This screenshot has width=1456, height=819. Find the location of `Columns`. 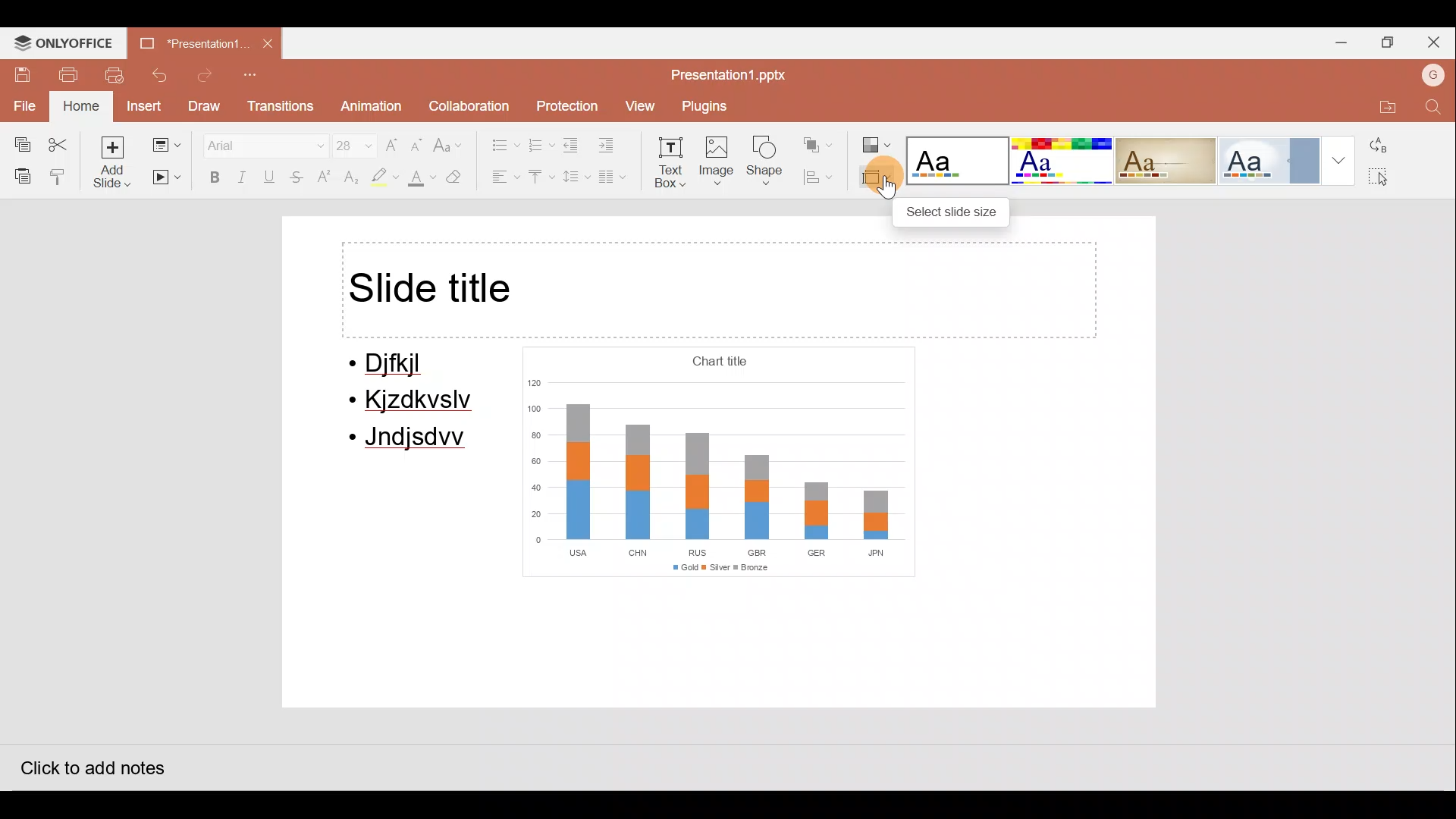

Columns is located at coordinates (618, 180).